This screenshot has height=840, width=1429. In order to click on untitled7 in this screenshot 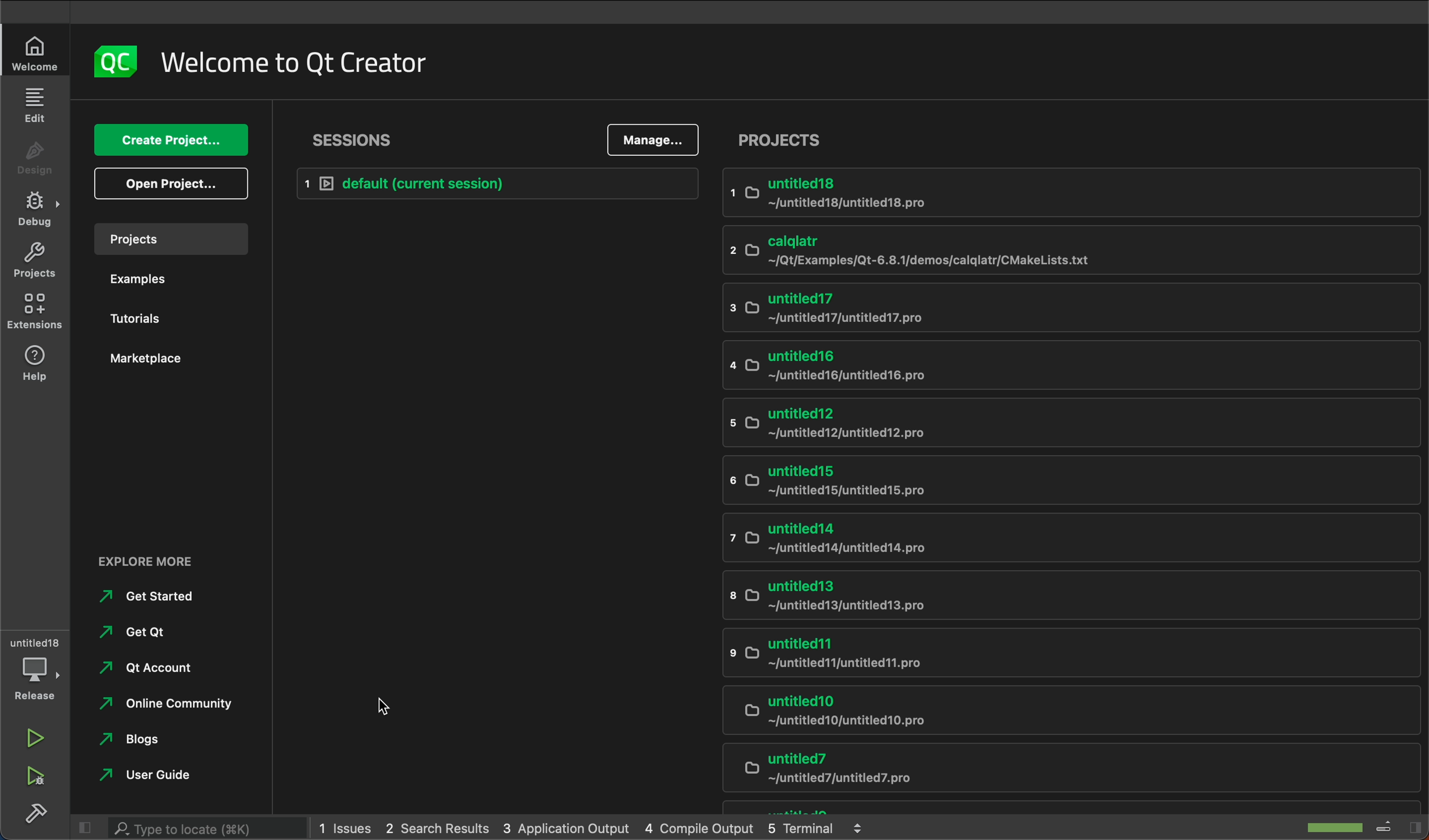, I will do `click(1053, 771)`.